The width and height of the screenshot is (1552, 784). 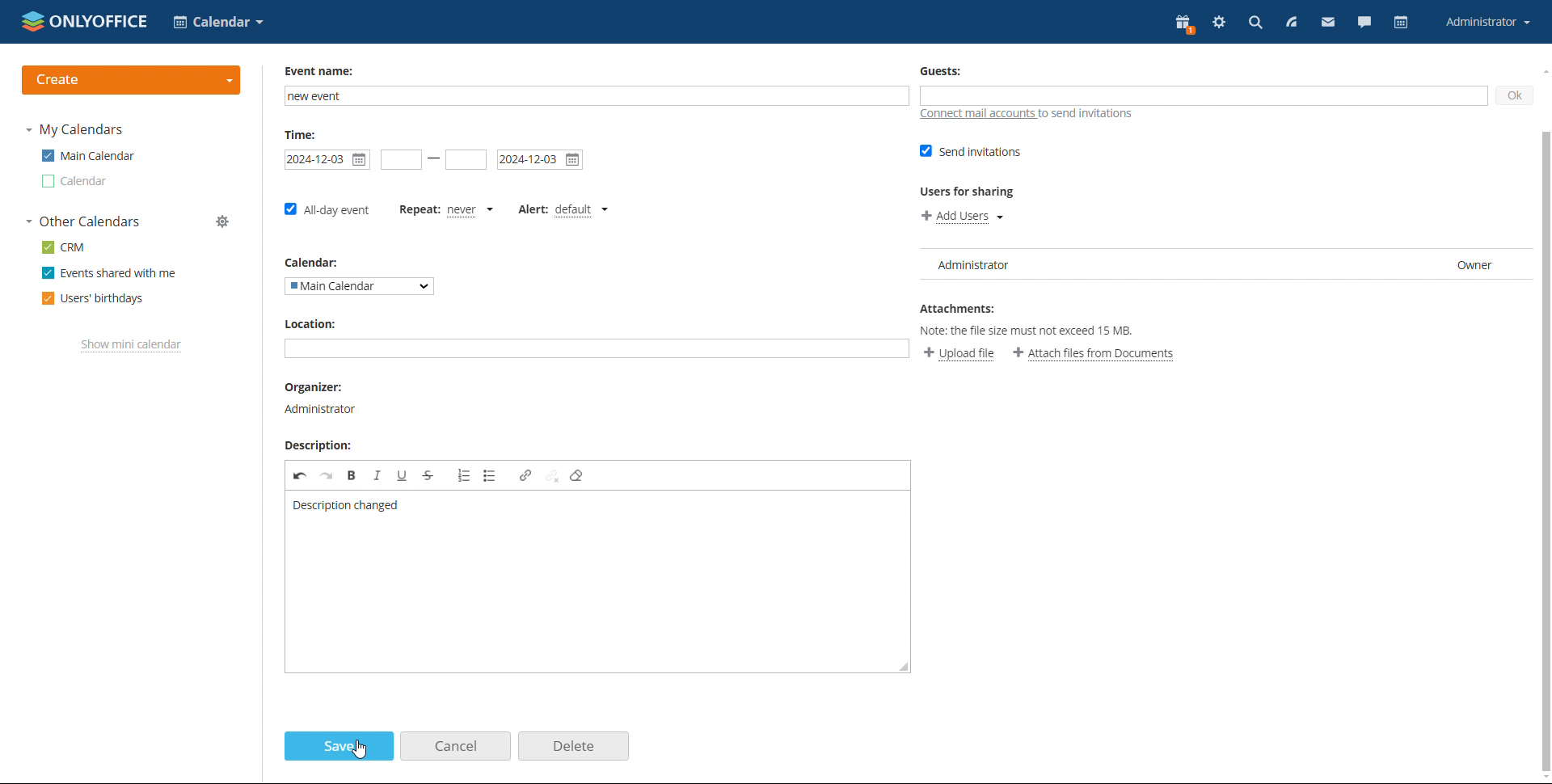 I want to click on main calendar, so click(x=88, y=155).